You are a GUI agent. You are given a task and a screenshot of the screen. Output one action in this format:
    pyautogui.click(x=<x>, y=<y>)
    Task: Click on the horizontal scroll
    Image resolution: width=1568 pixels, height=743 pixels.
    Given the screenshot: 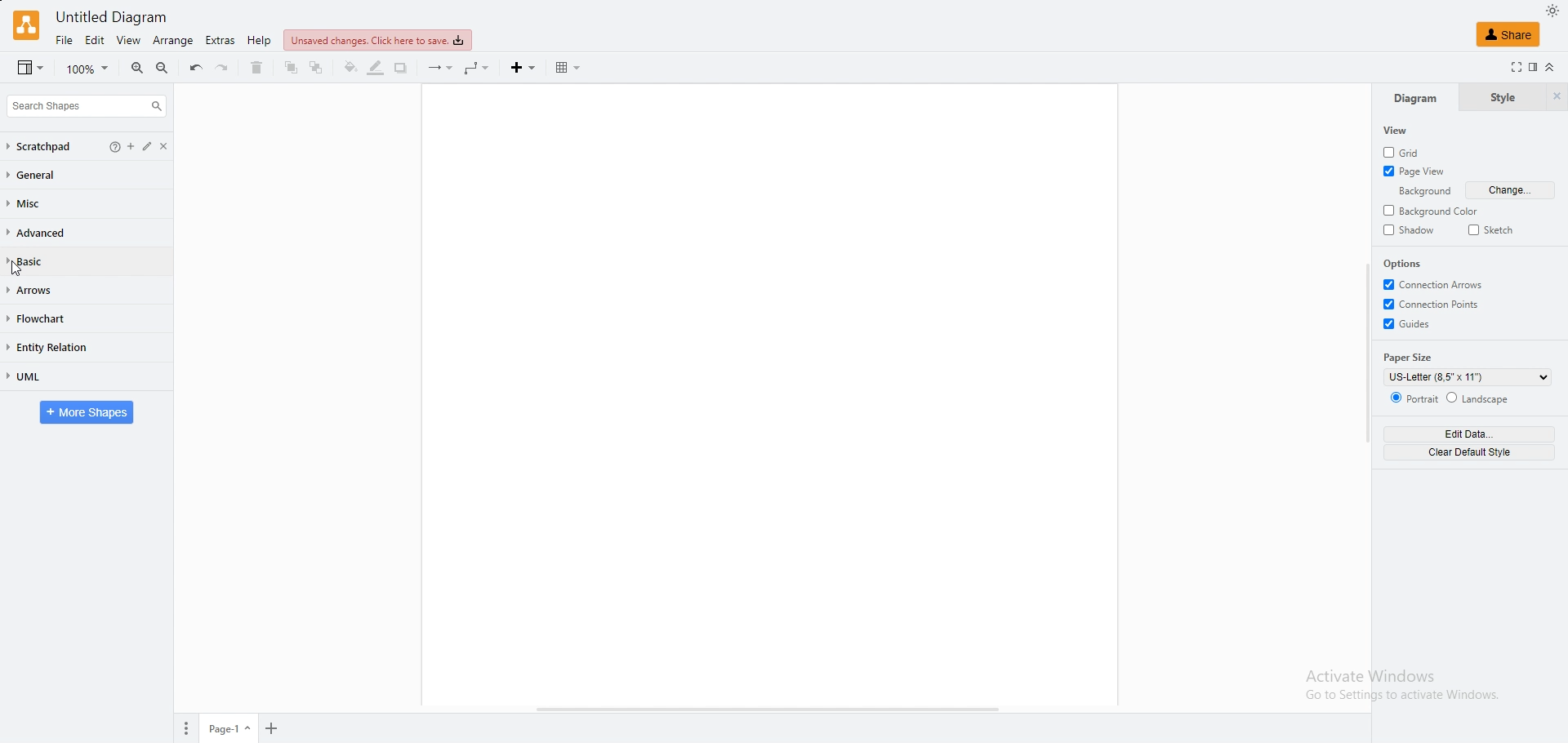 What is the action you would take?
    pyautogui.click(x=768, y=710)
    